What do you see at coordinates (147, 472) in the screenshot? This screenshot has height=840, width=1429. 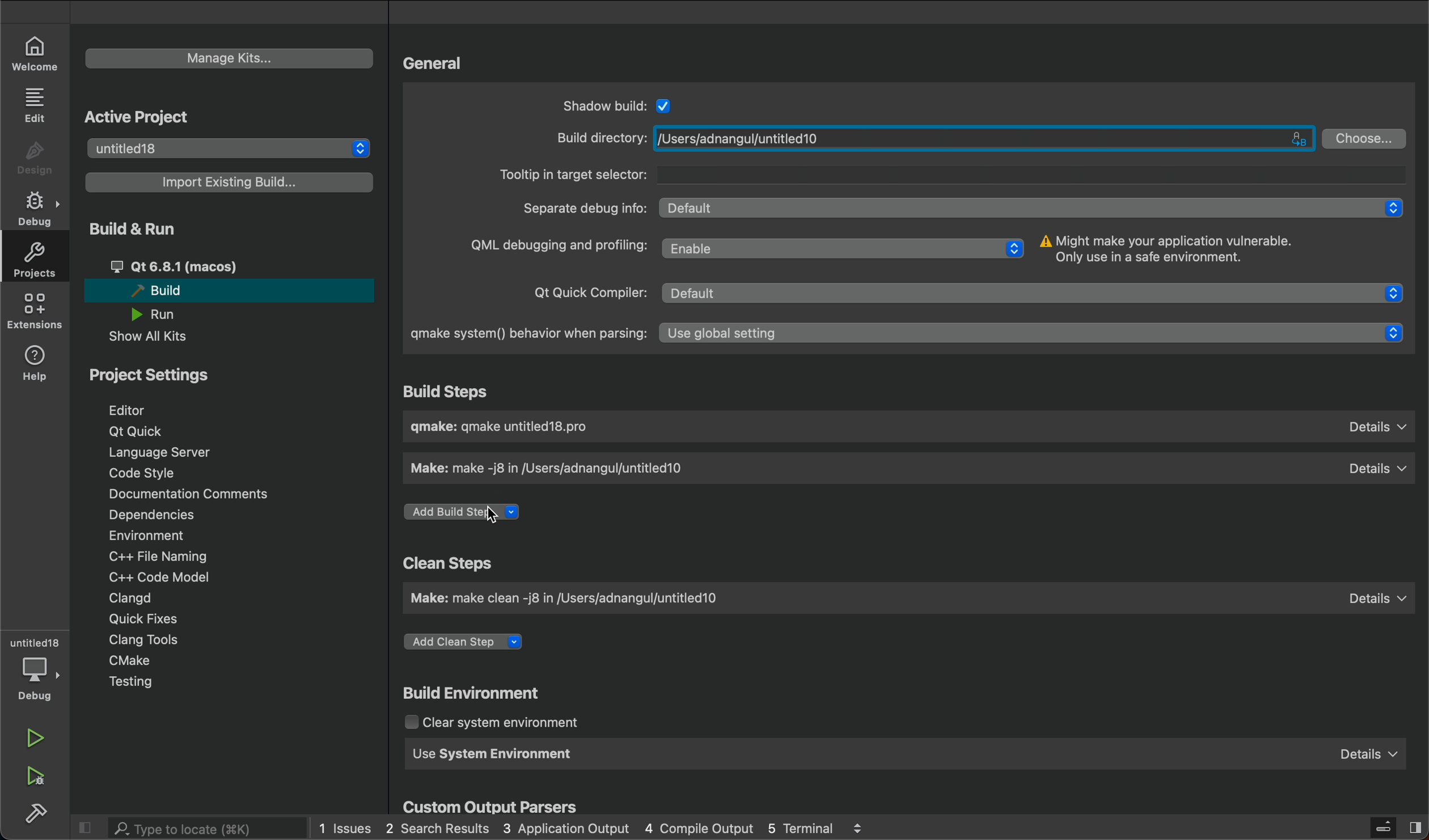 I see `Code Style` at bounding box center [147, 472].